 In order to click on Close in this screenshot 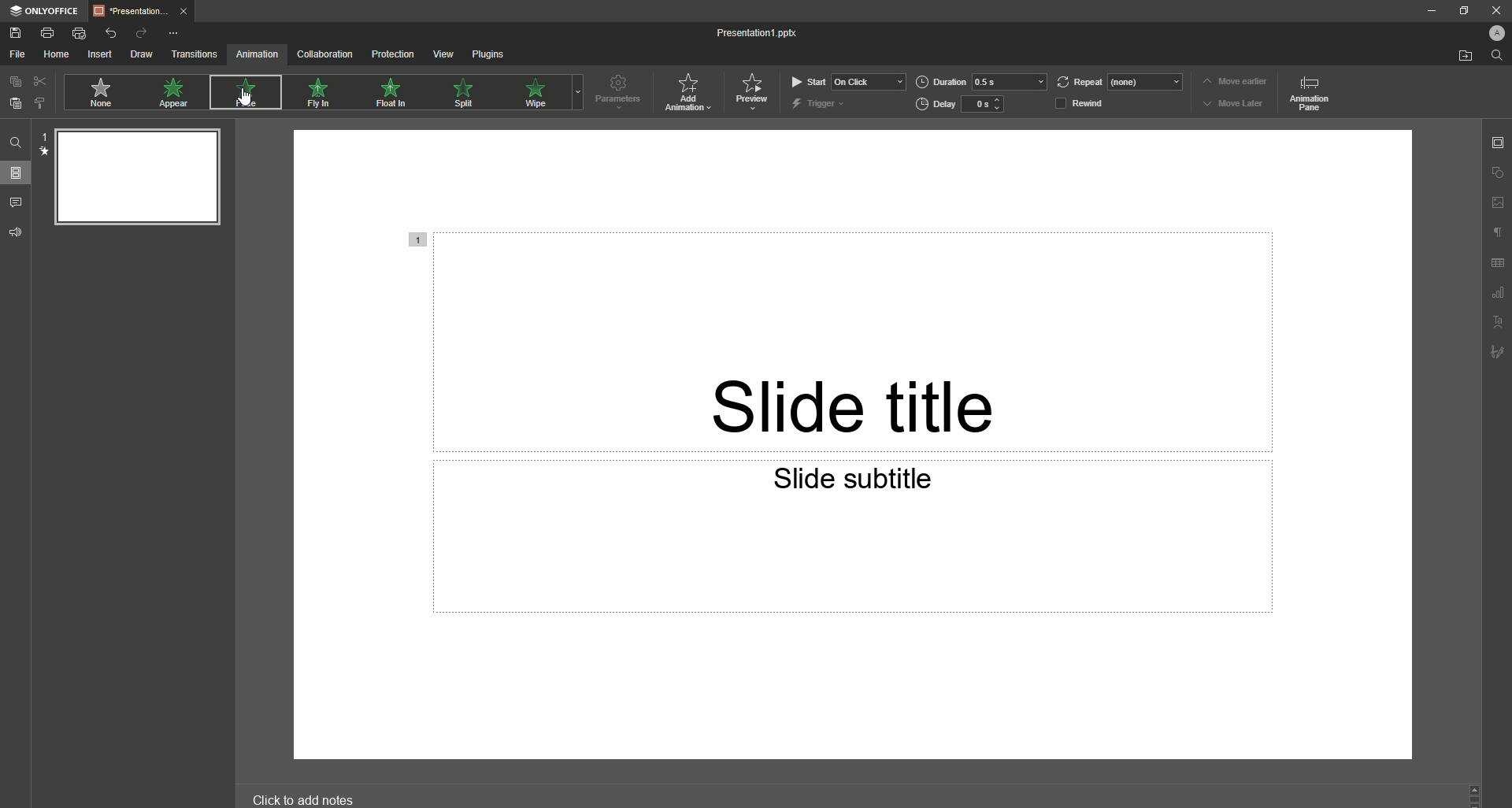, I will do `click(1494, 10)`.